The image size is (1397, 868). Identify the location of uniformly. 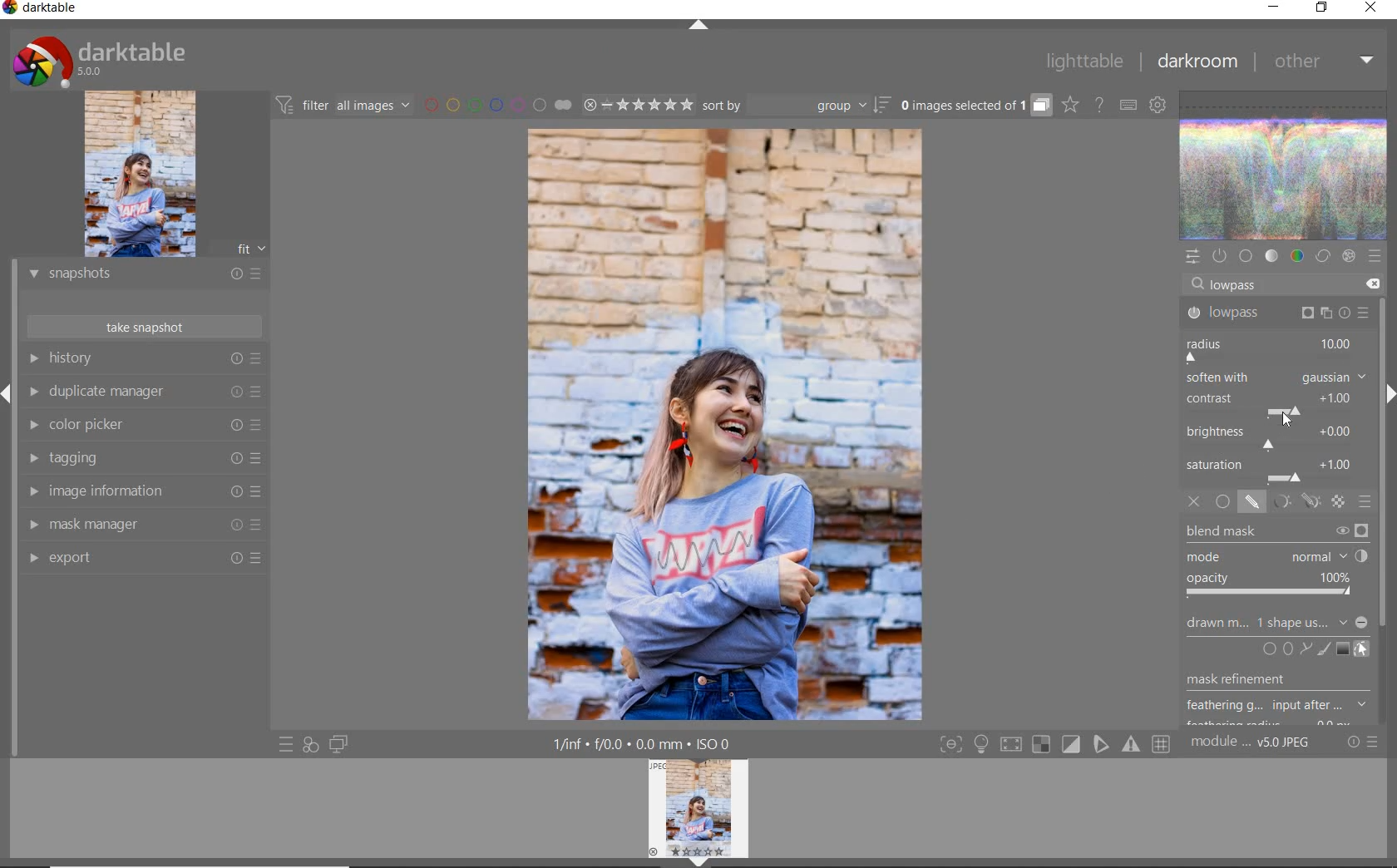
(1222, 502).